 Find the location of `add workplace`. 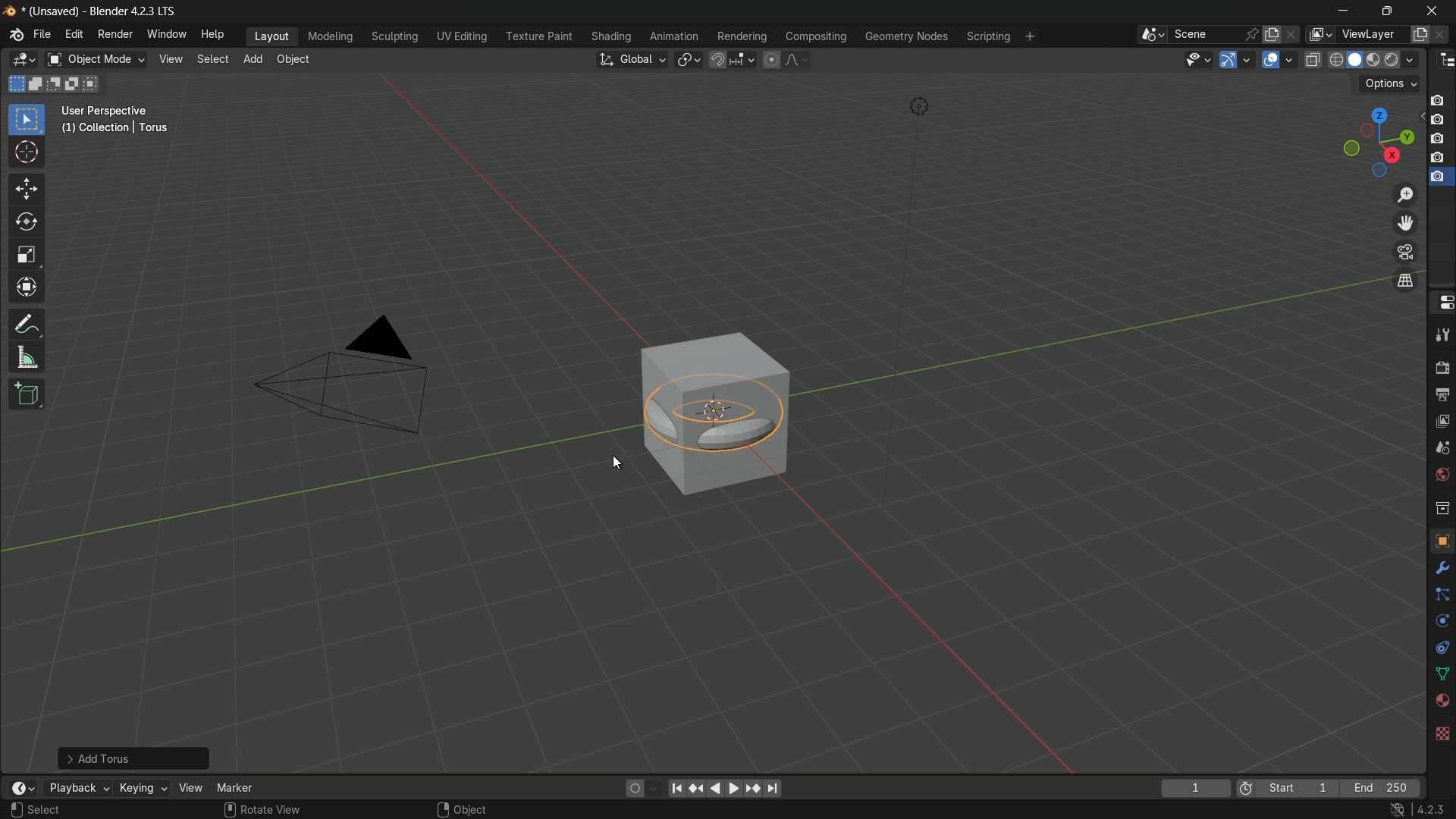

add workplace is located at coordinates (1030, 36).